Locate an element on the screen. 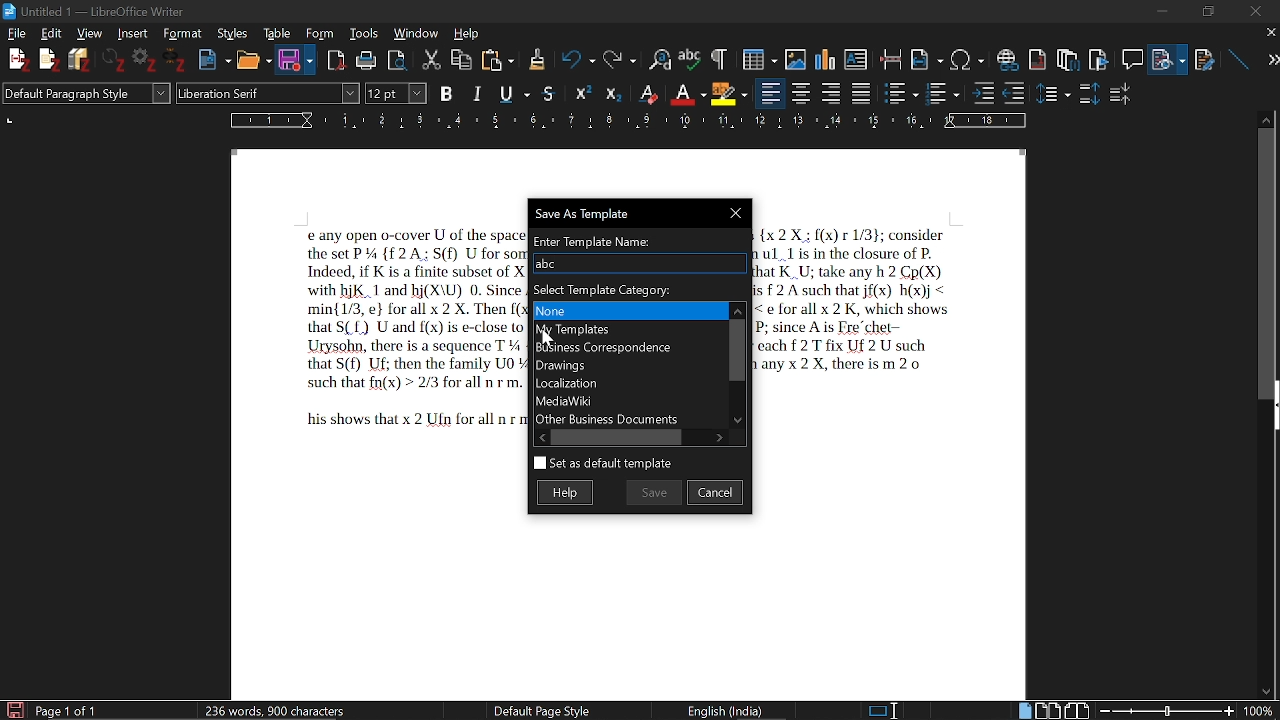 The image size is (1280, 720). Toggle print preview is located at coordinates (402, 58).